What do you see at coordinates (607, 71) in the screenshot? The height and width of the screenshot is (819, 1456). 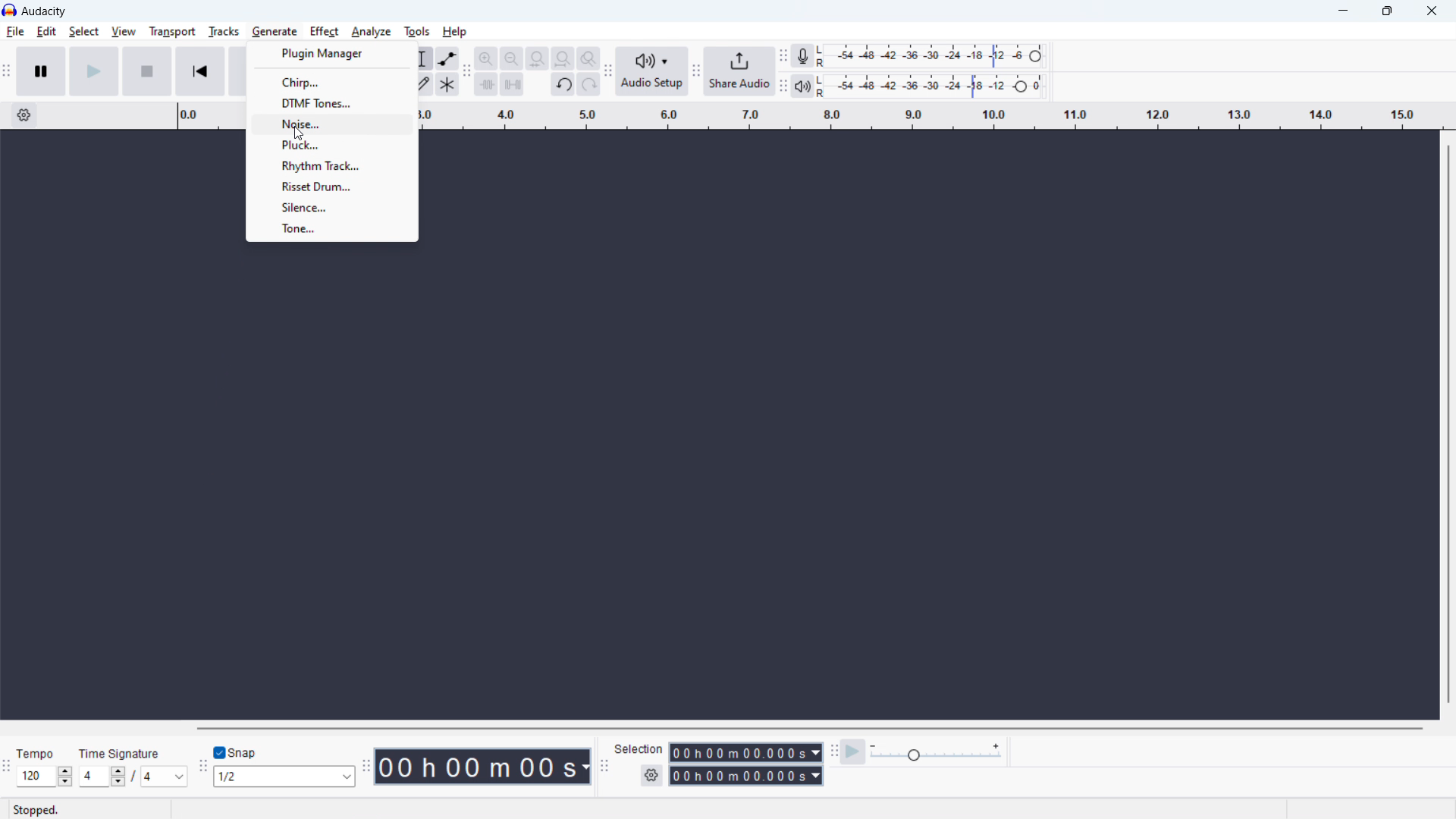 I see `audio setup toolbar` at bounding box center [607, 71].